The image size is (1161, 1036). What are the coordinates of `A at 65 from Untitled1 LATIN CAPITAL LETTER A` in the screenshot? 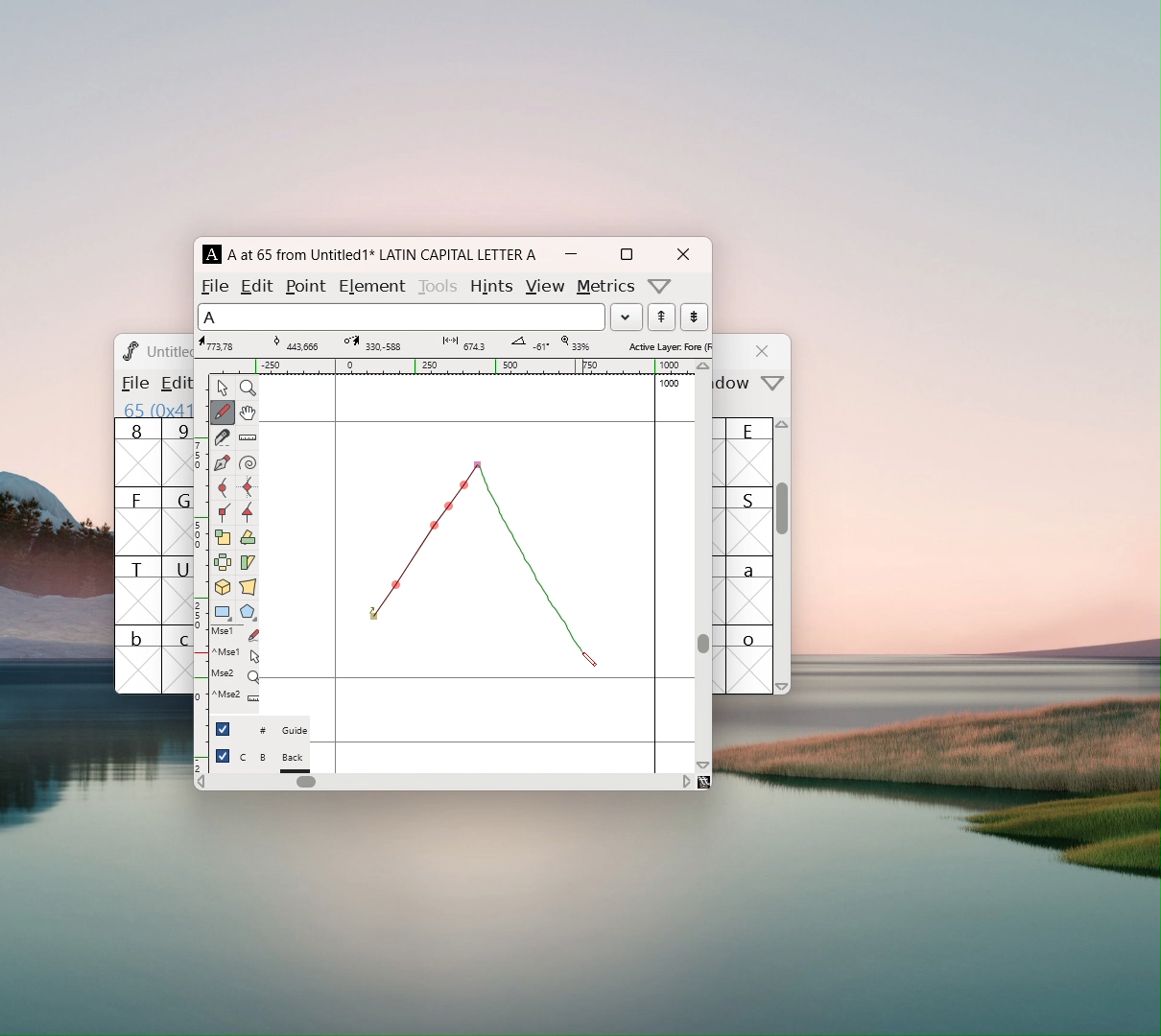 It's located at (379, 254).